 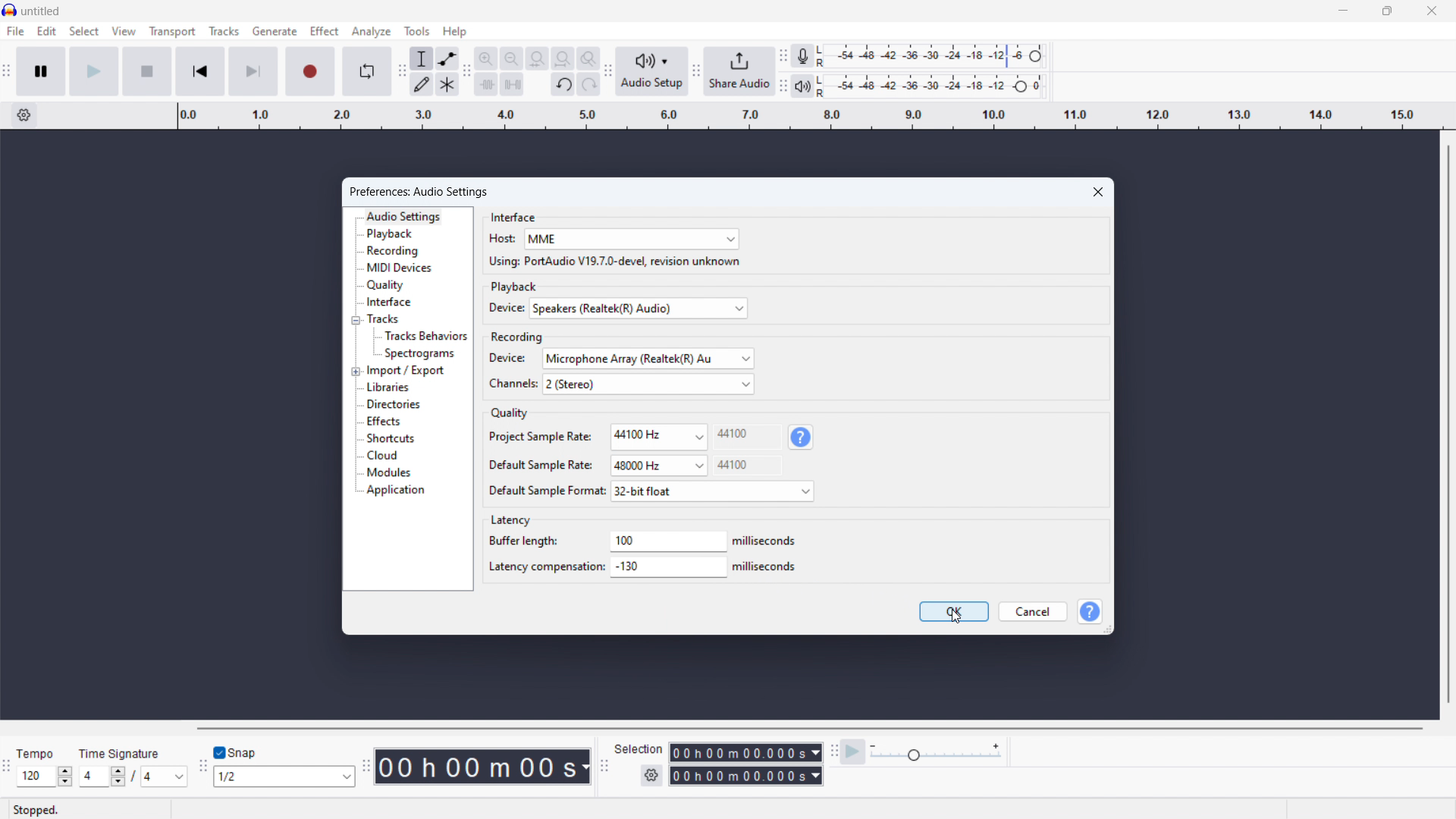 What do you see at coordinates (539, 436) in the screenshot?
I see `Project sample rate ` at bounding box center [539, 436].